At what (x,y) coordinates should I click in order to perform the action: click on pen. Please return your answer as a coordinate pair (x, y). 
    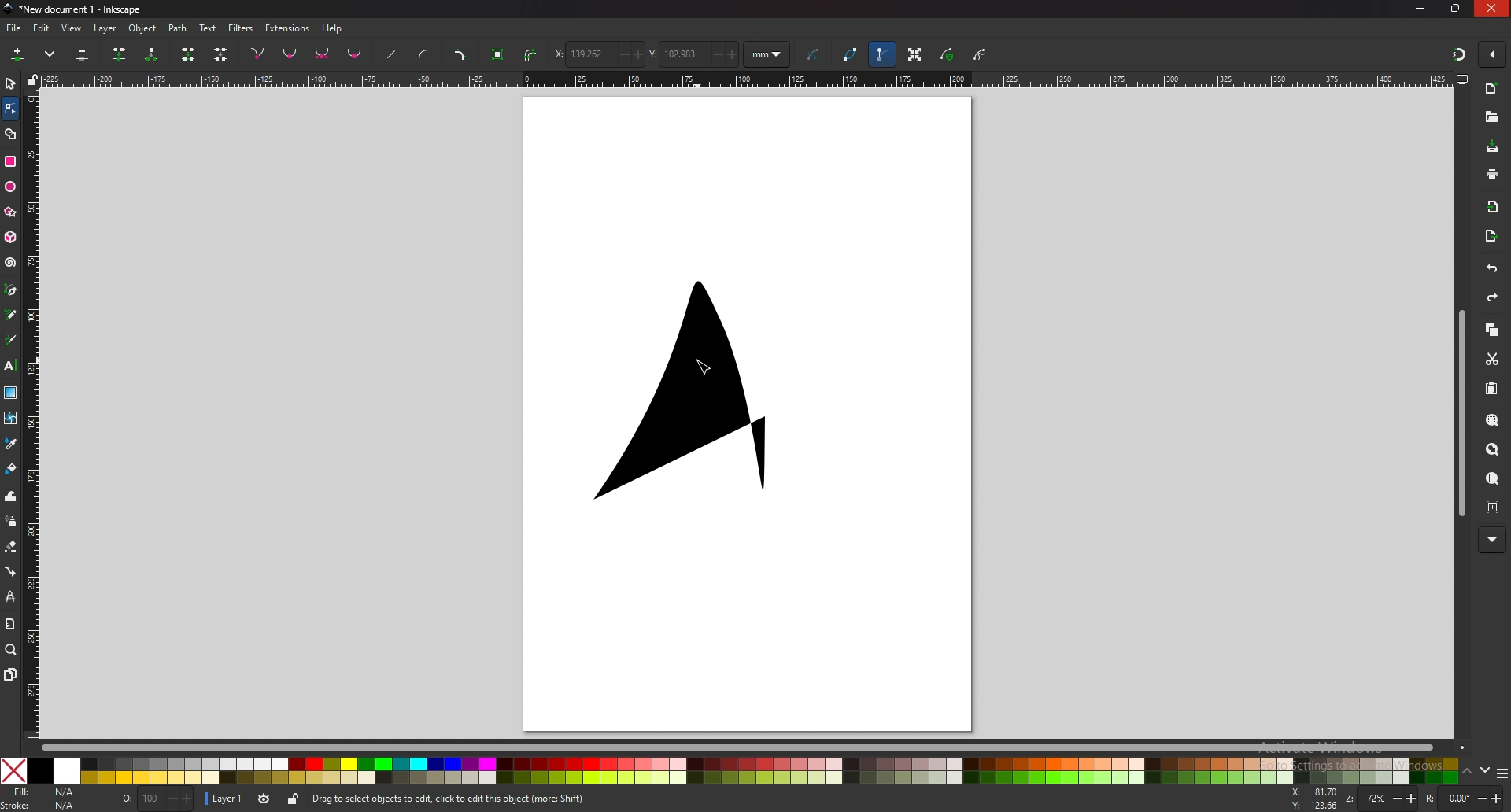
    Looking at the image, I should click on (11, 290).